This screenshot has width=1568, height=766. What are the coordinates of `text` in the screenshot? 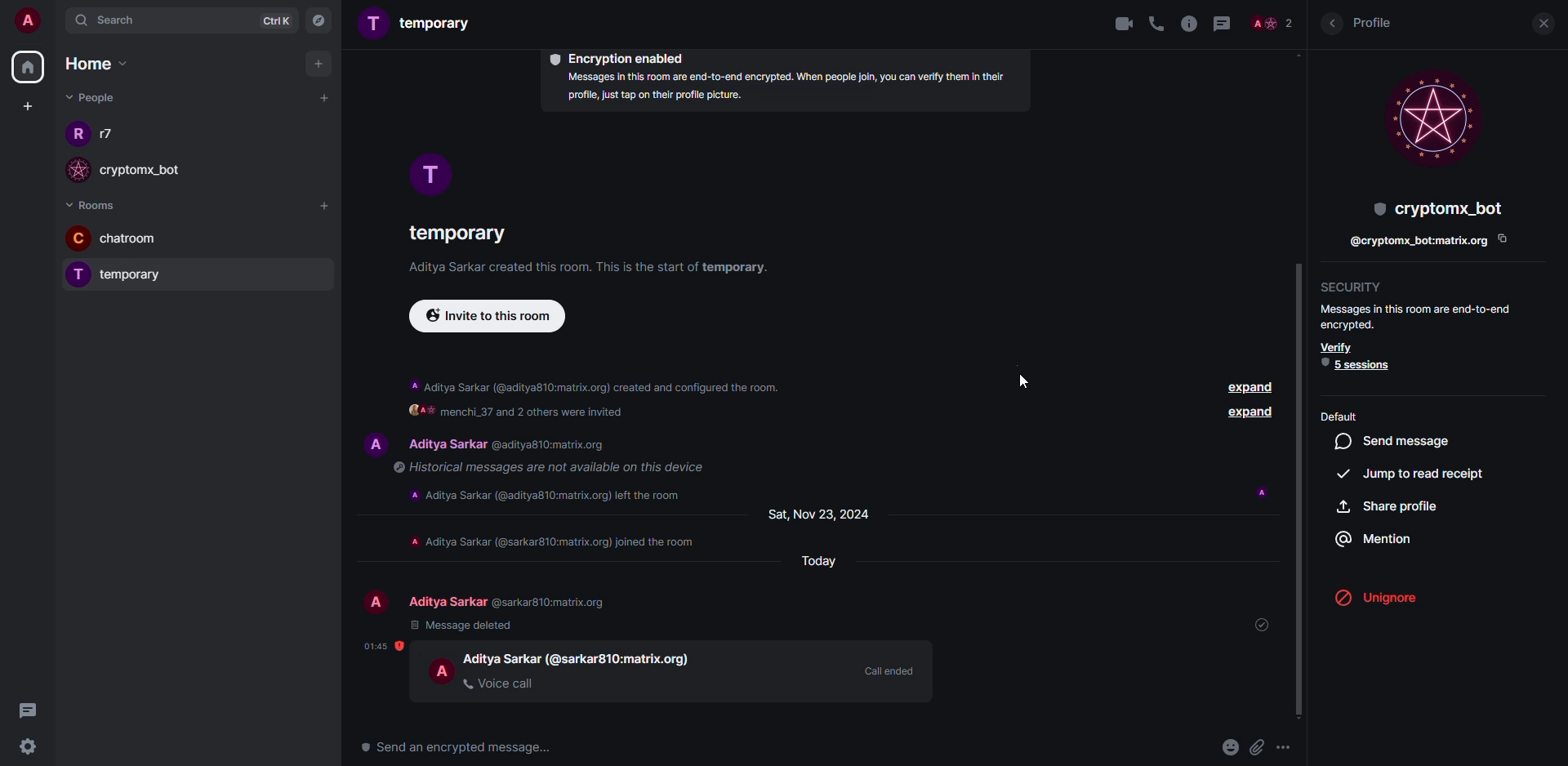 It's located at (616, 414).